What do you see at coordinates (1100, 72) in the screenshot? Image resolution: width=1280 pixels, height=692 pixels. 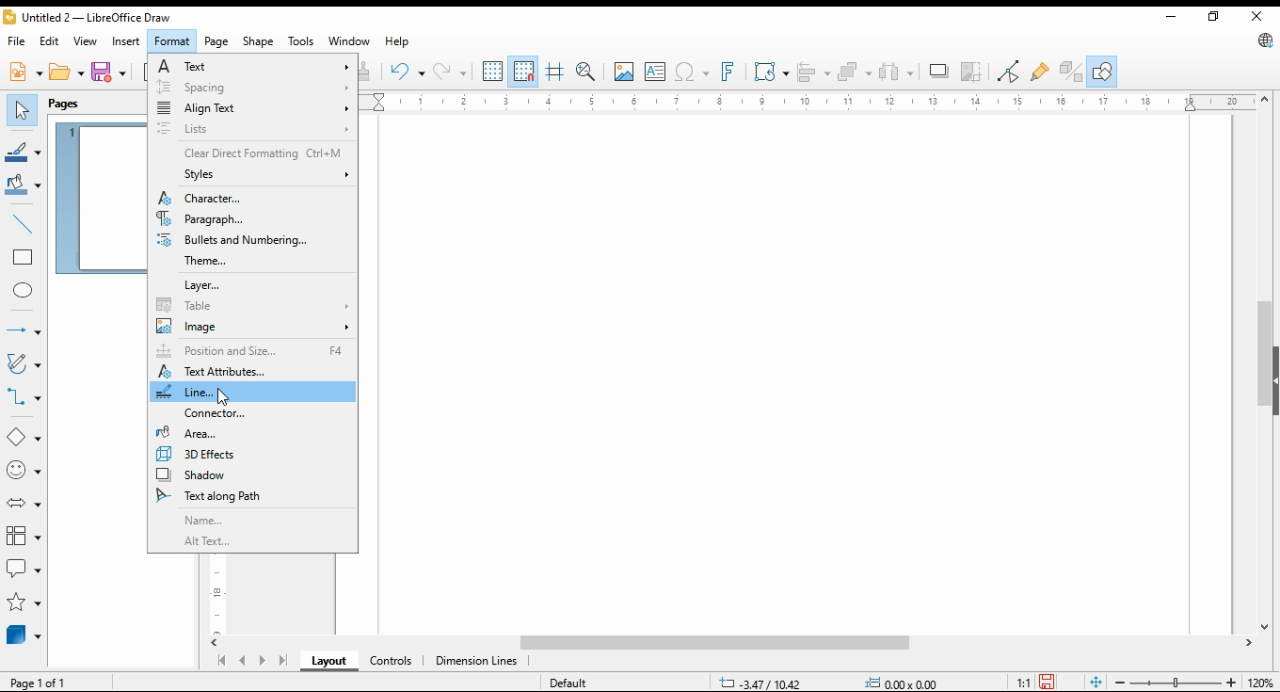 I see `show draw functions` at bounding box center [1100, 72].